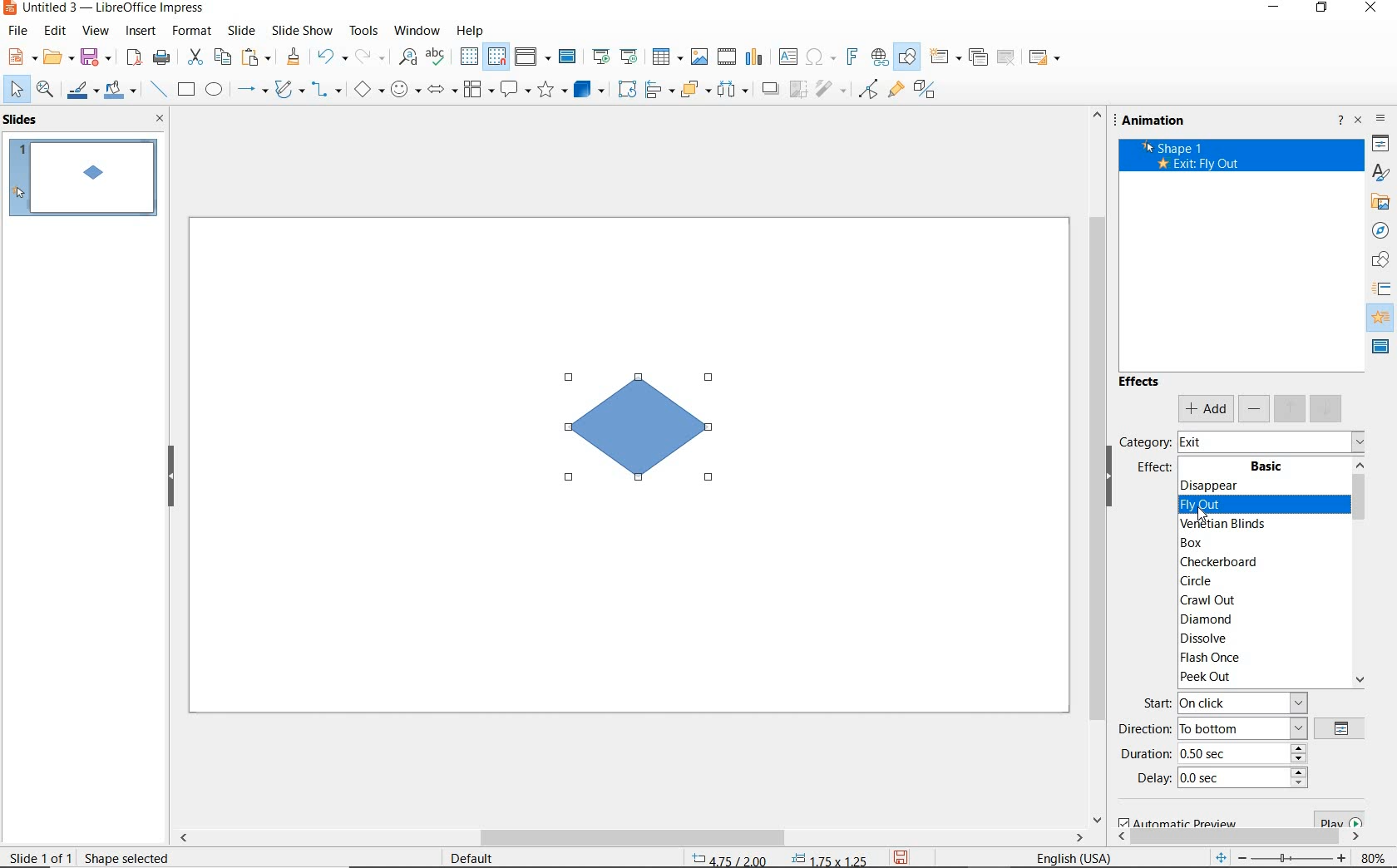 This screenshot has width=1397, height=868. Describe the element at coordinates (55, 31) in the screenshot. I see `edit` at that location.